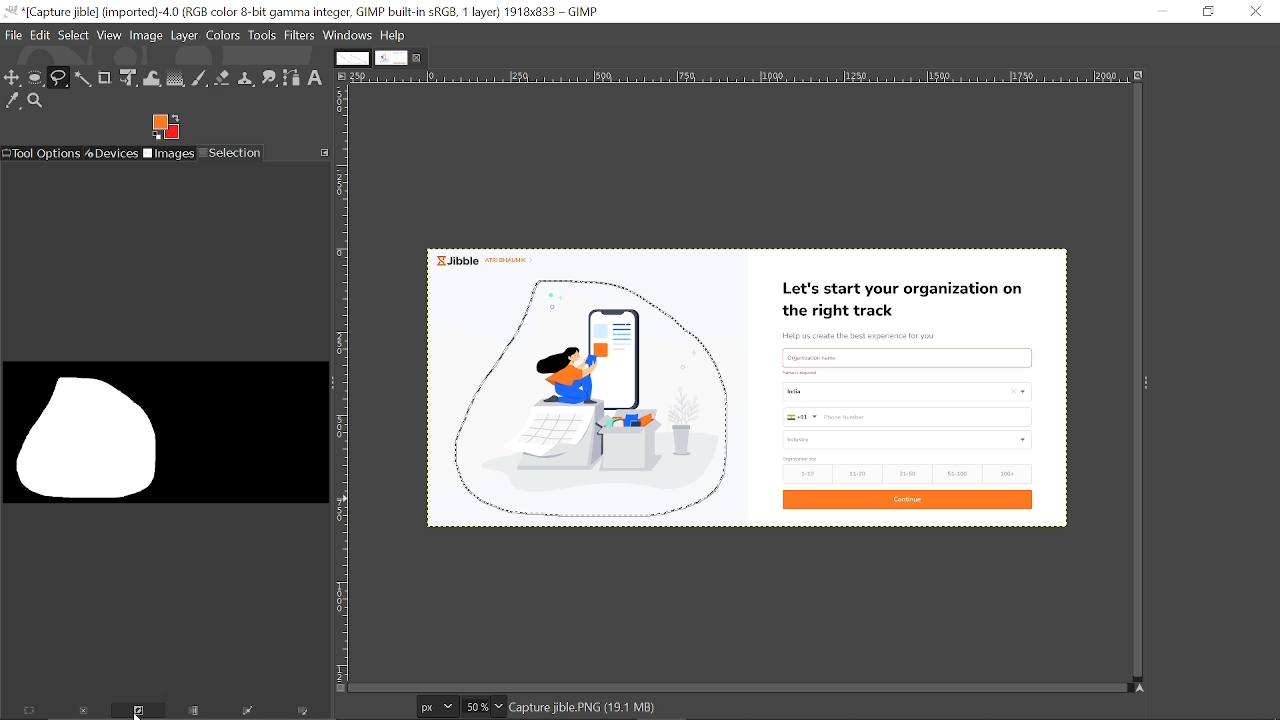 The image size is (1280, 720). Describe the element at coordinates (1206, 11) in the screenshot. I see `Restore down` at that location.